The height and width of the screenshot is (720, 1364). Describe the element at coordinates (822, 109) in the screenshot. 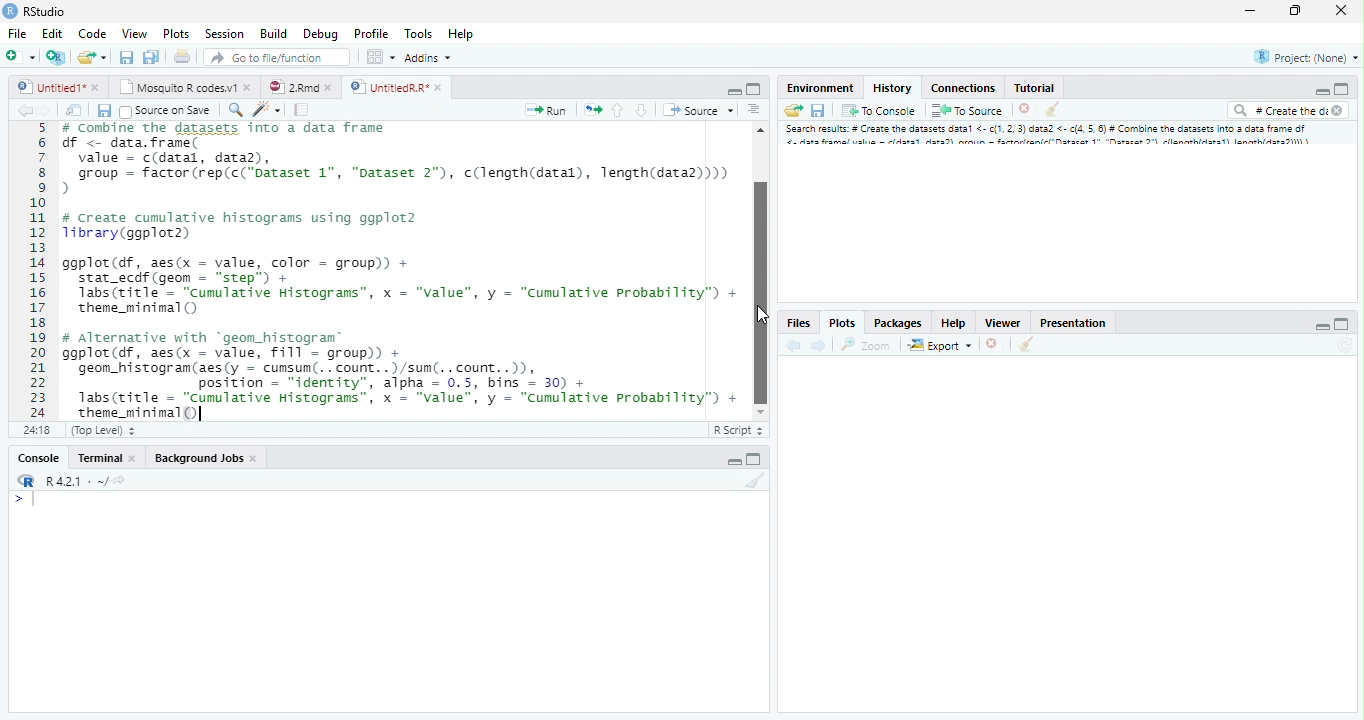

I see `Save` at that location.